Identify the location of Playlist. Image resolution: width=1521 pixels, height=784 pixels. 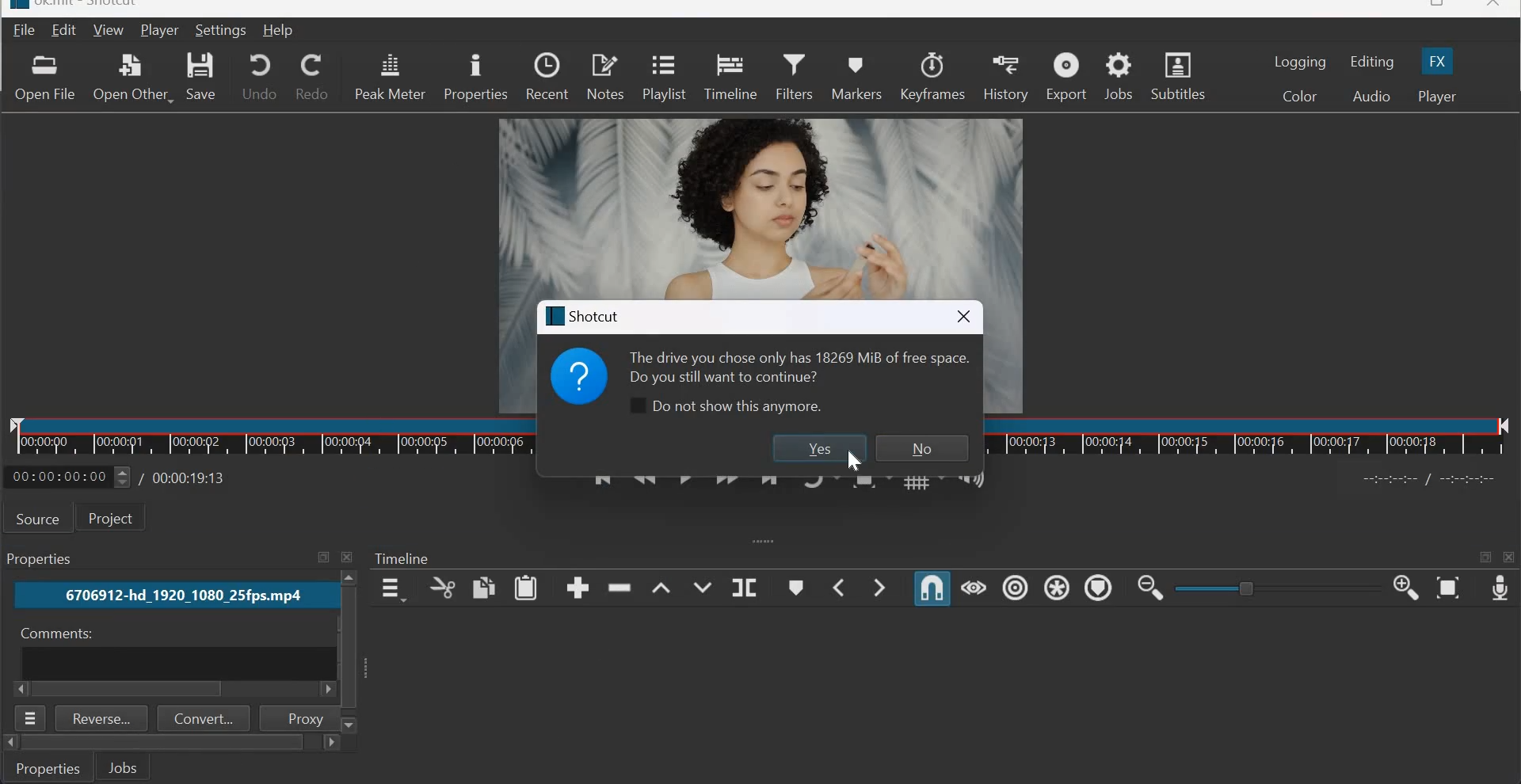
(662, 79).